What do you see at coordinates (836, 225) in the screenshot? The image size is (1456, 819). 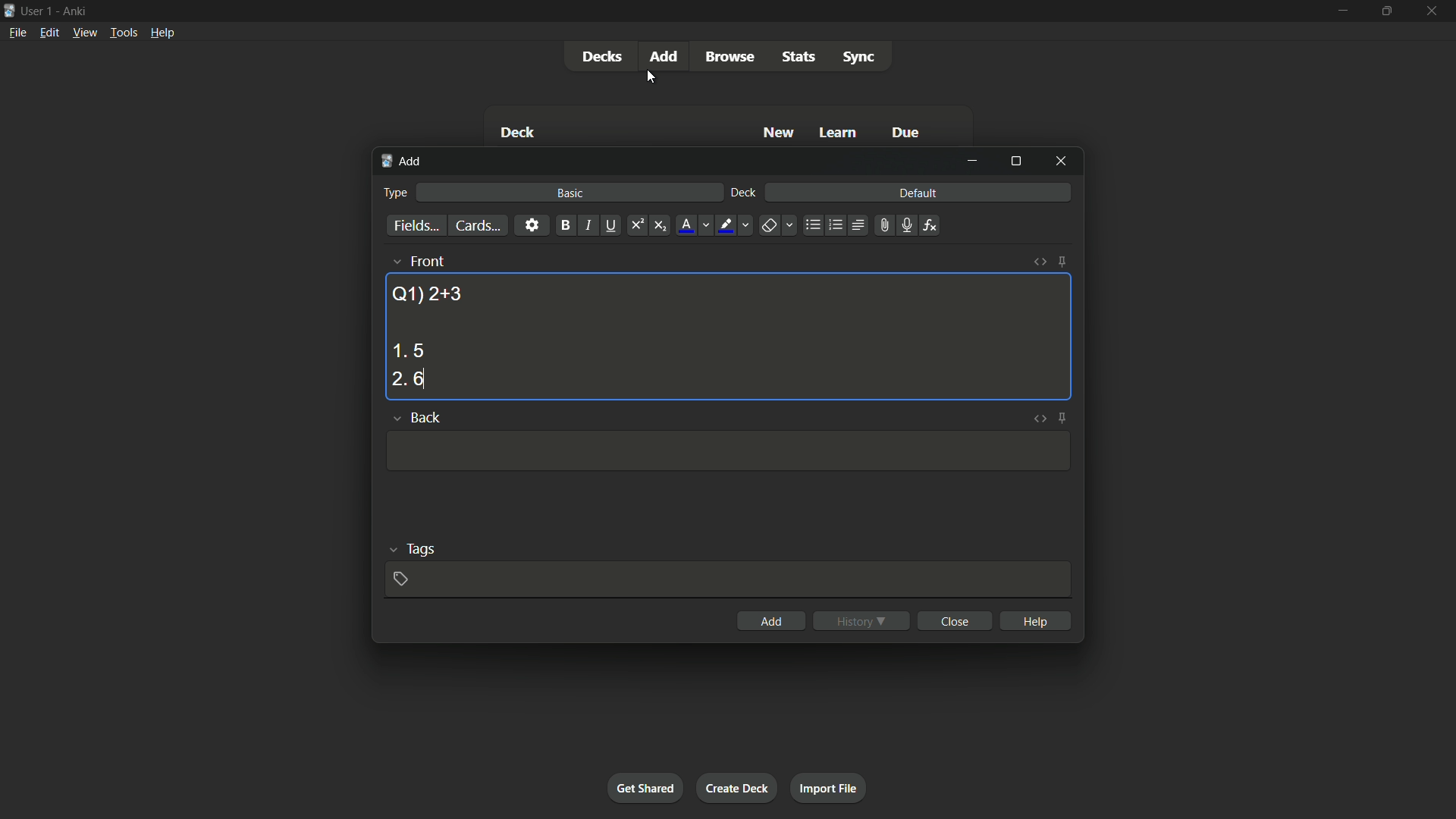 I see `ordered list` at bounding box center [836, 225].